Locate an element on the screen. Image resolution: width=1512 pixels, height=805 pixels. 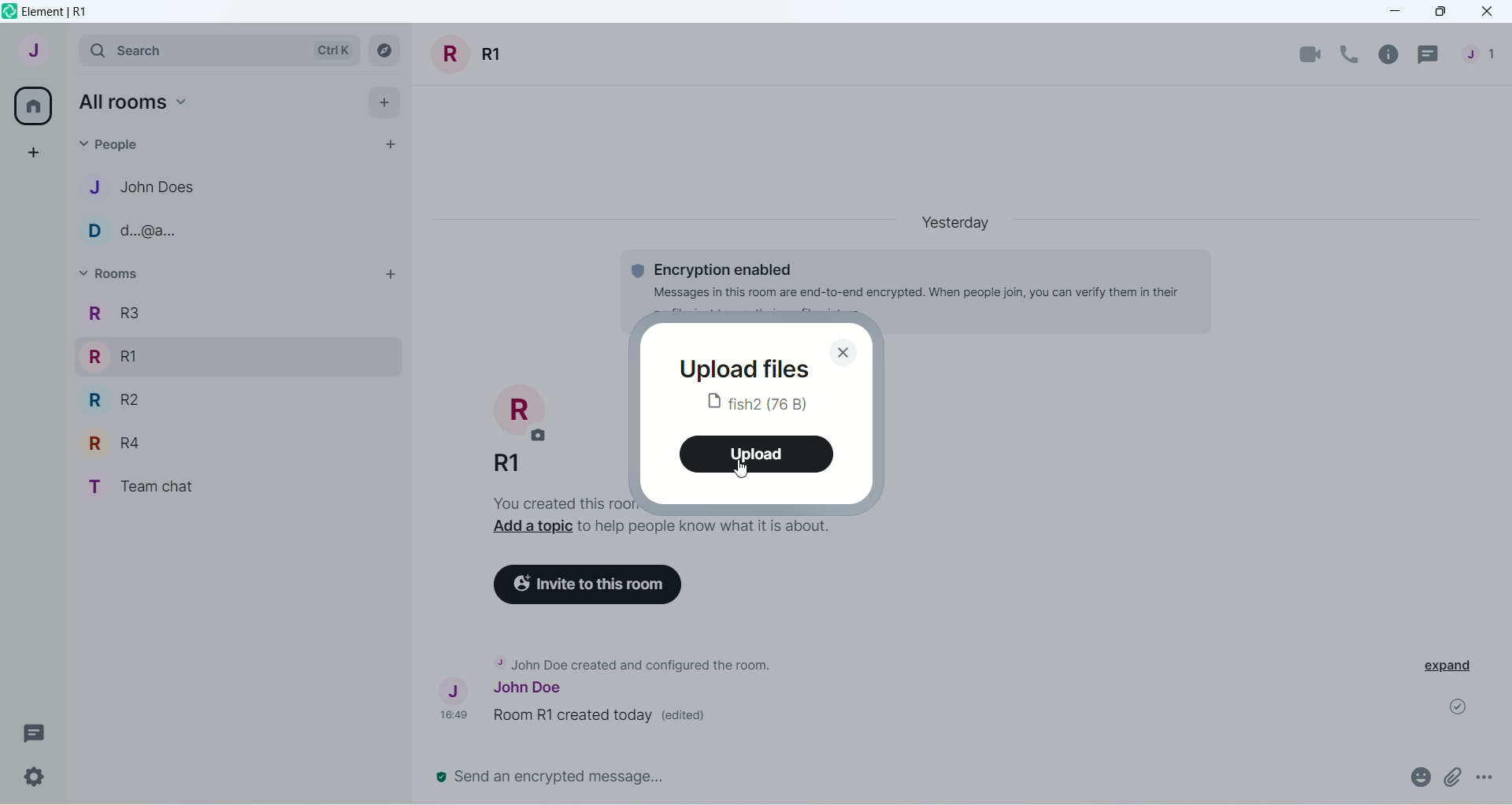
maximize is located at coordinates (1443, 15).